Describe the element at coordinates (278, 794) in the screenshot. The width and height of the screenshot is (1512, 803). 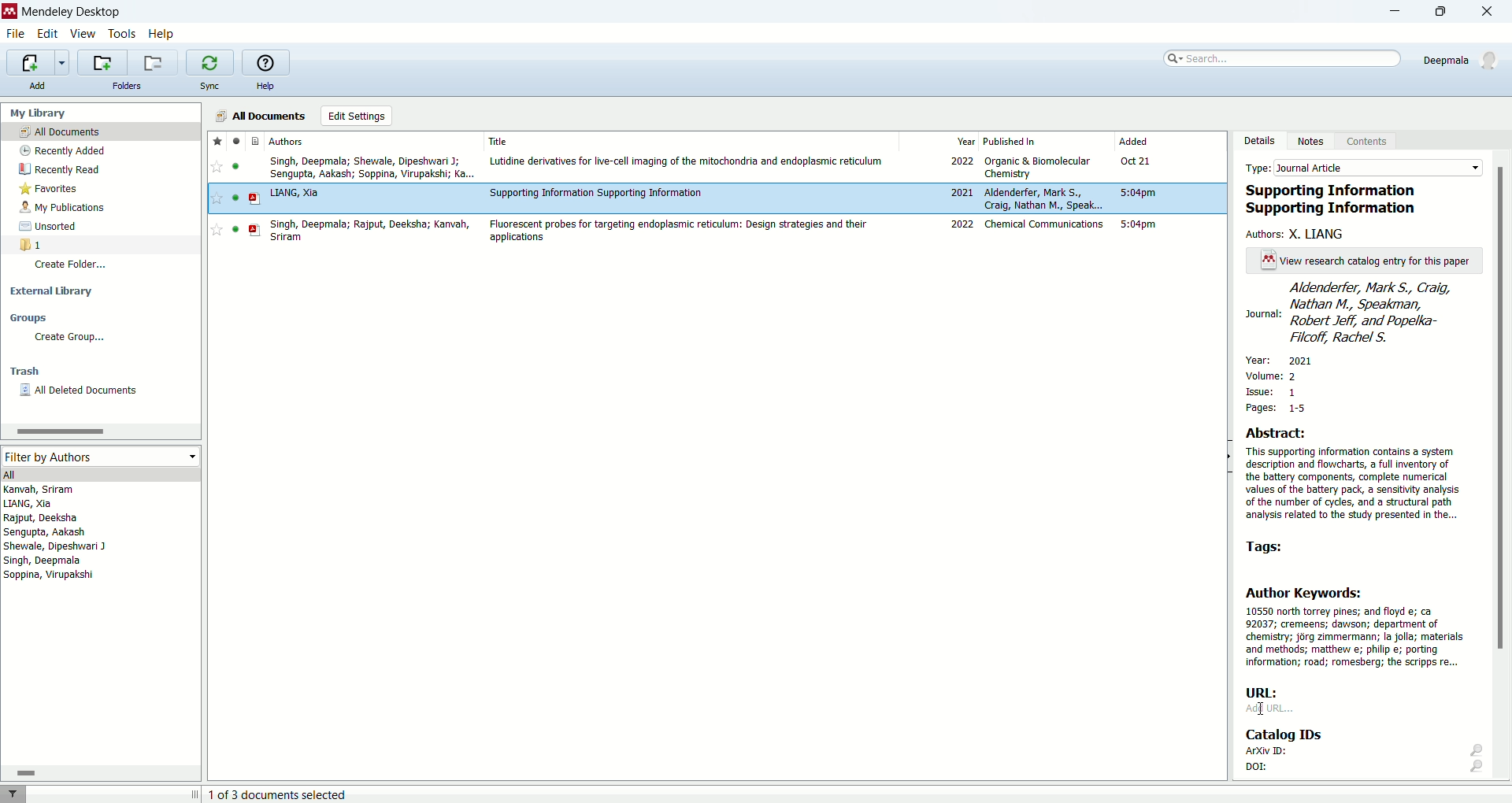
I see `1 of 3 documents selected` at that location.